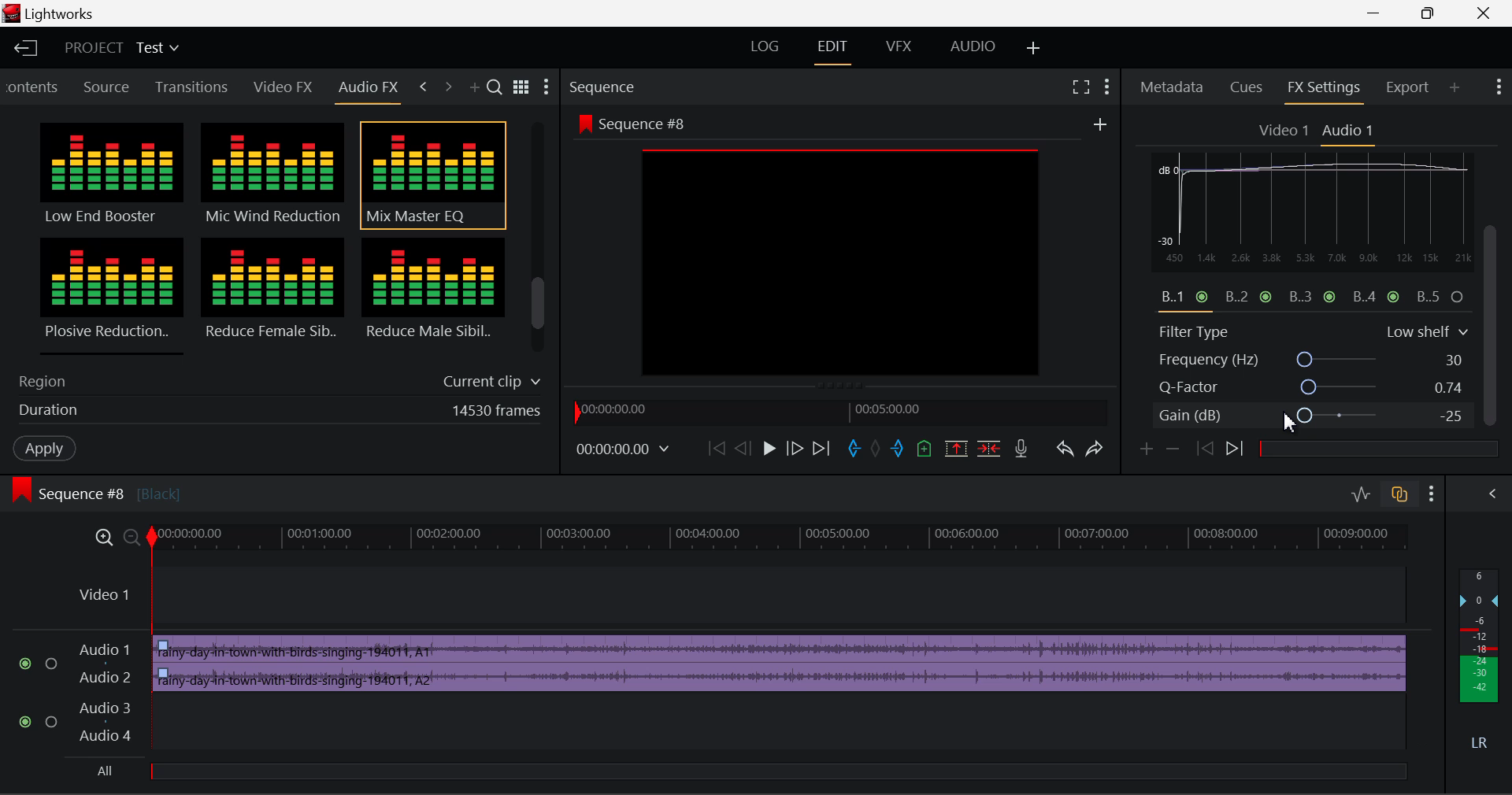  What do you see at coordinates (1173, 89) in the screenshot?
I see `Metadata` at bounding box center [1173, 89].